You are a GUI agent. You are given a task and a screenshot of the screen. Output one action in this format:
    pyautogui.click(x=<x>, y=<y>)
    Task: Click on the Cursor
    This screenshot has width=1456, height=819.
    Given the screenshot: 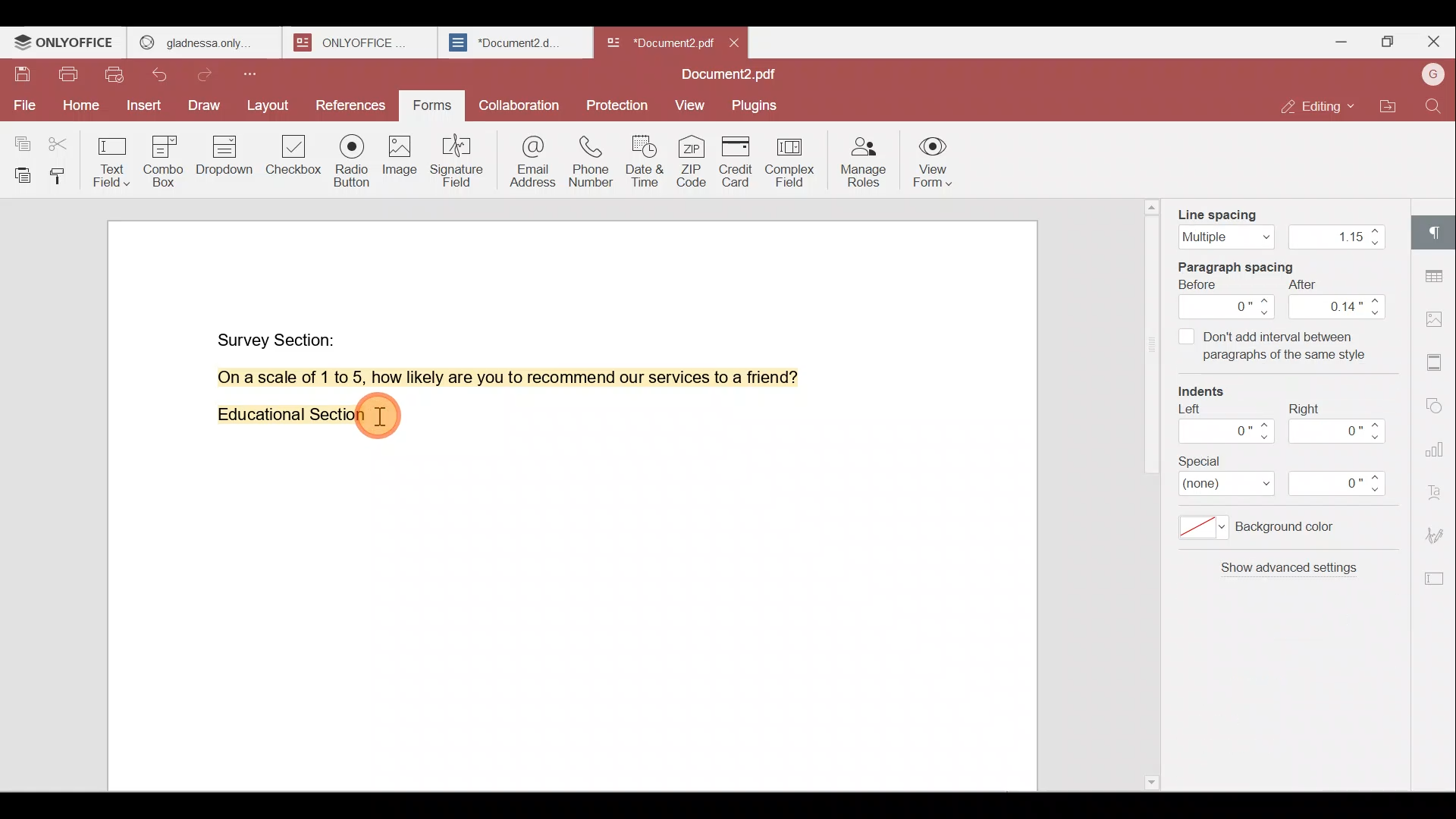 What is the action you would take?
    pyautogui.click(x=385, y=416)
    